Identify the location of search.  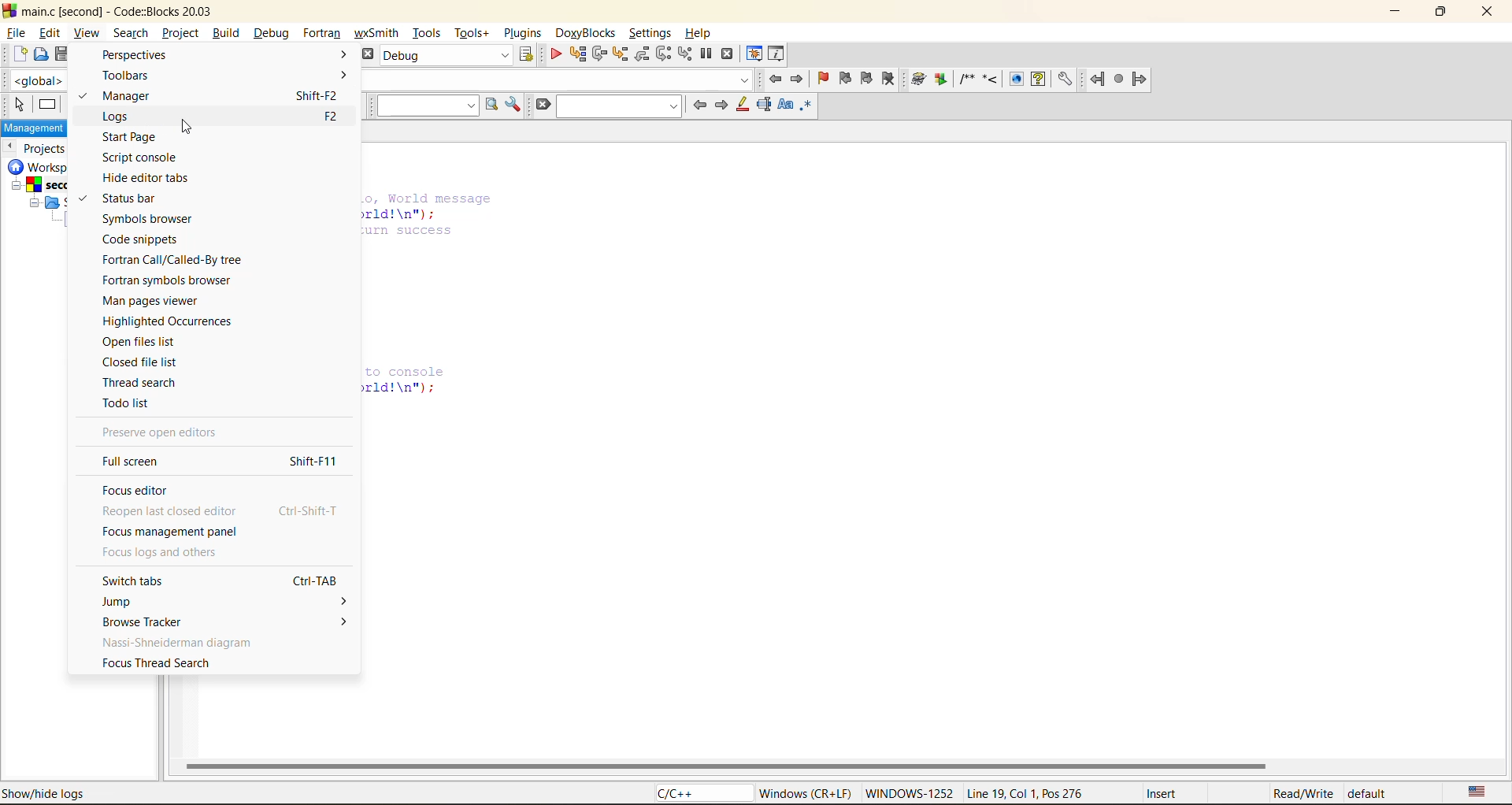
(617, 108).